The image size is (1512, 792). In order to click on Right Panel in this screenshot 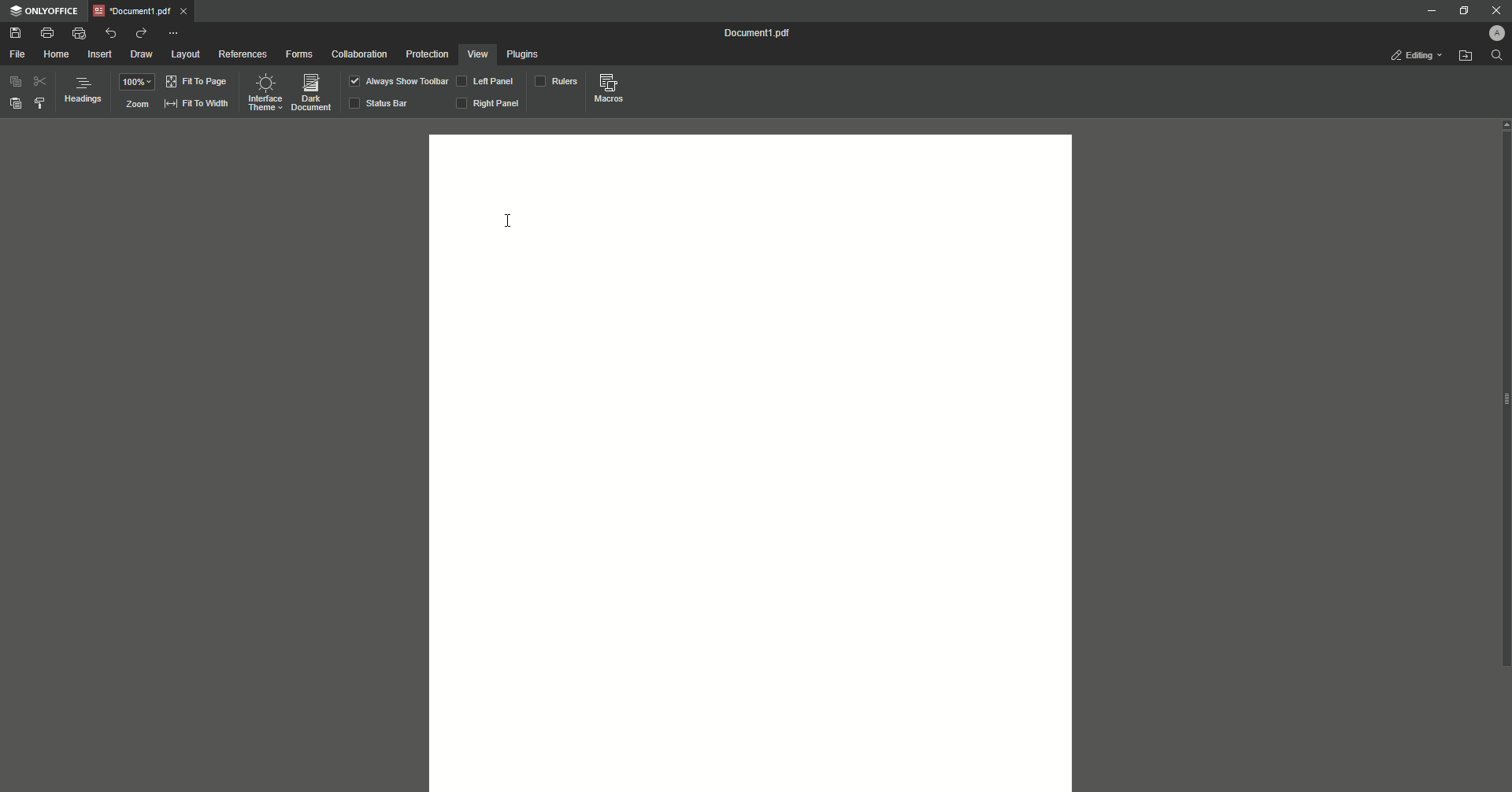, I will do `click(489, 104)`.